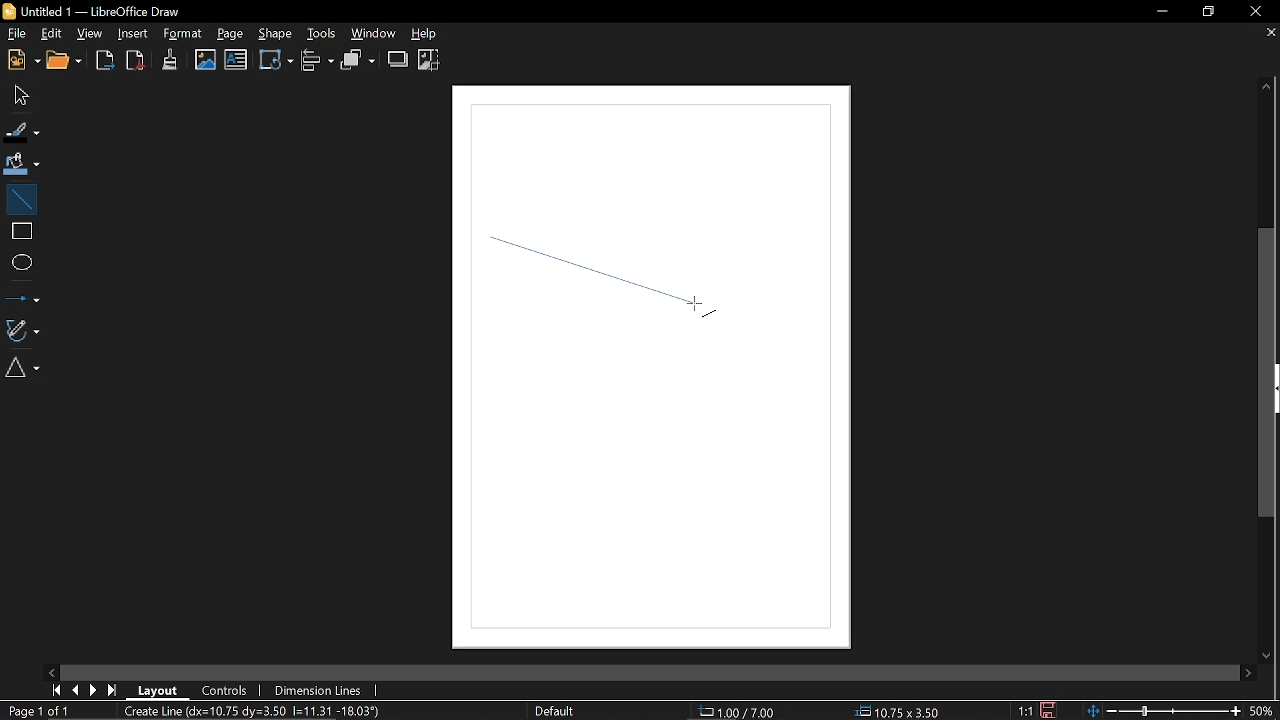  I want to click on Format, so click(182, 34).